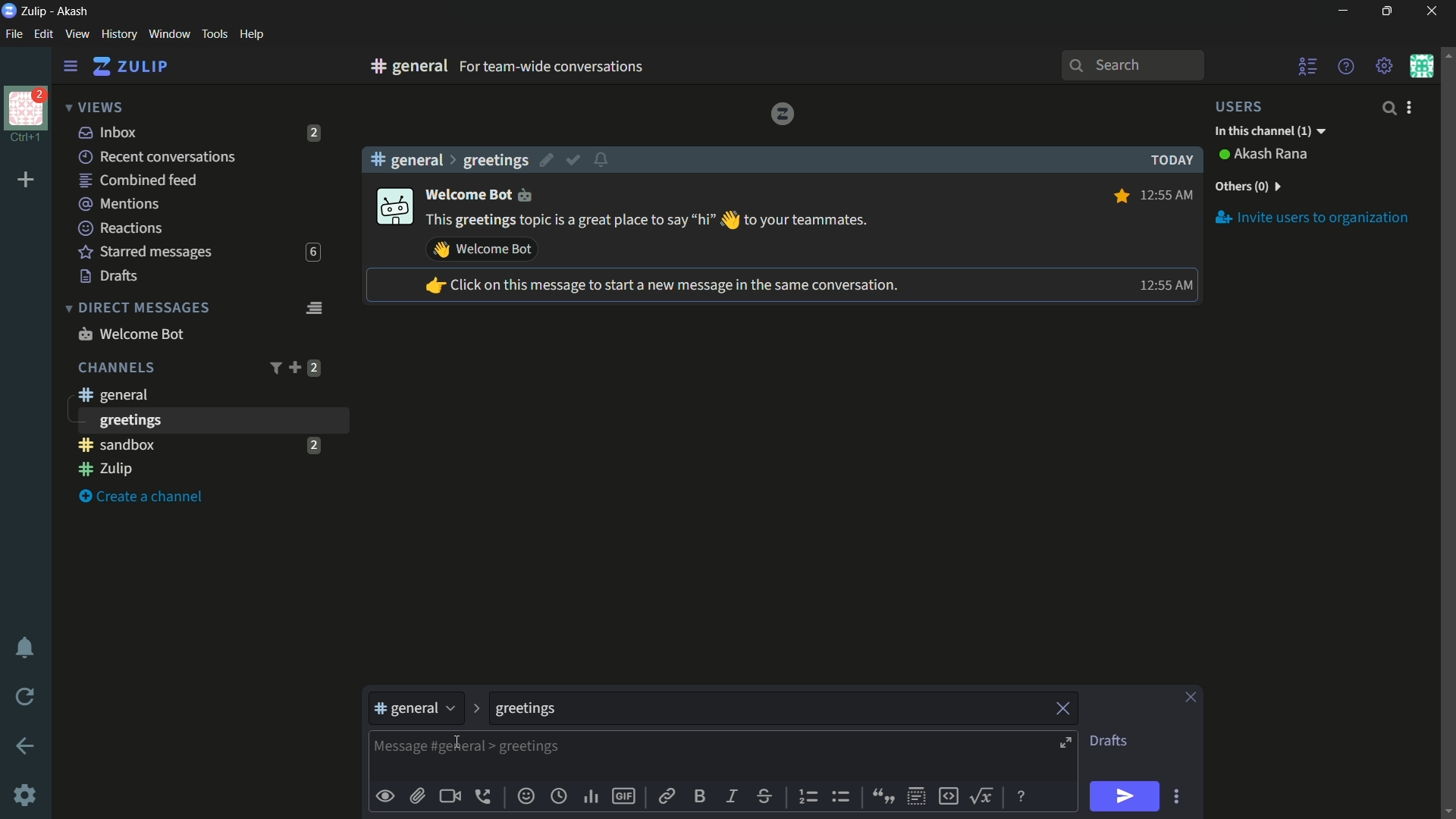  I want to click on settings, so click(27, 797).